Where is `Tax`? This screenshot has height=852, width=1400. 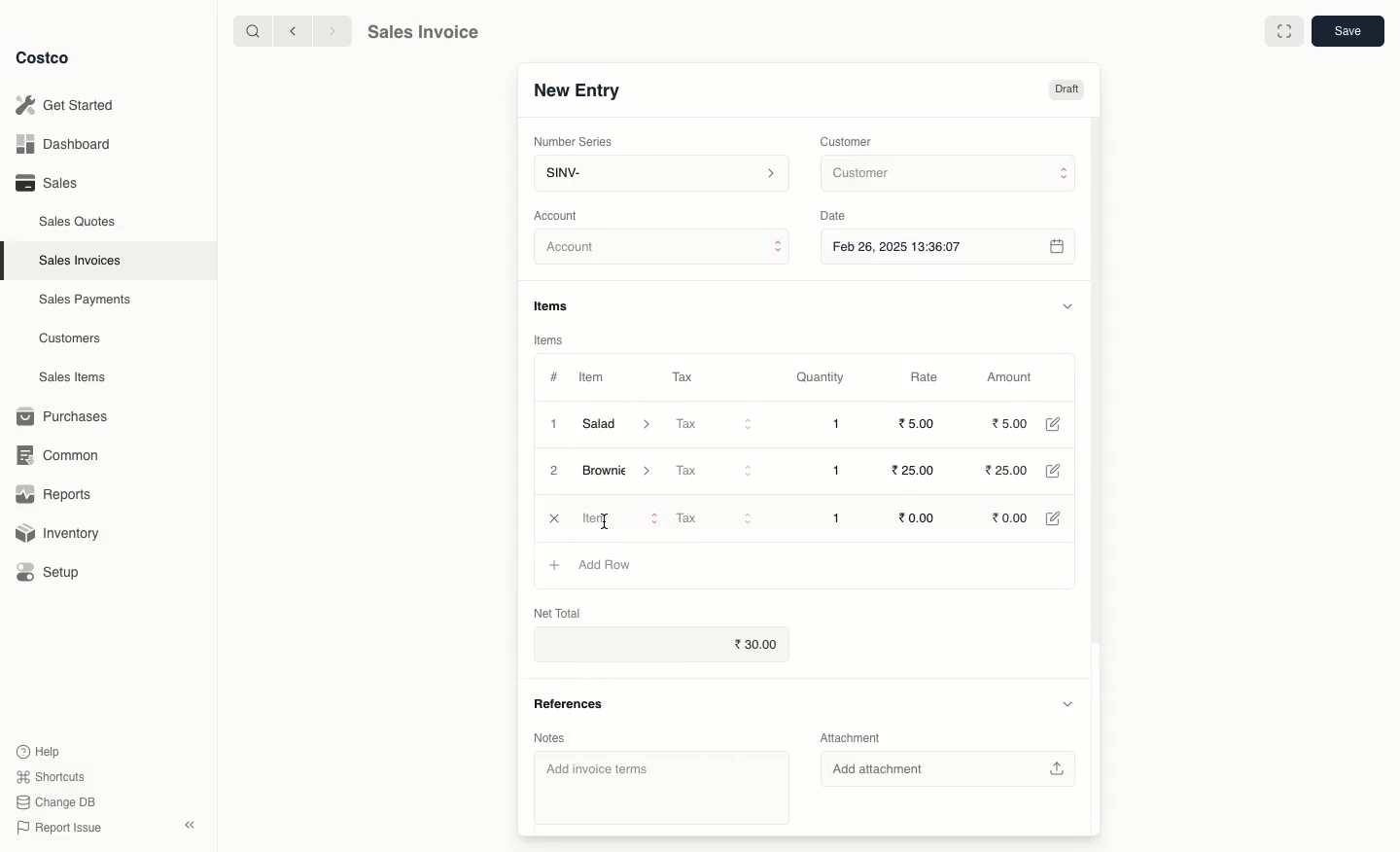 Tax is located at coordinates (714, 518).